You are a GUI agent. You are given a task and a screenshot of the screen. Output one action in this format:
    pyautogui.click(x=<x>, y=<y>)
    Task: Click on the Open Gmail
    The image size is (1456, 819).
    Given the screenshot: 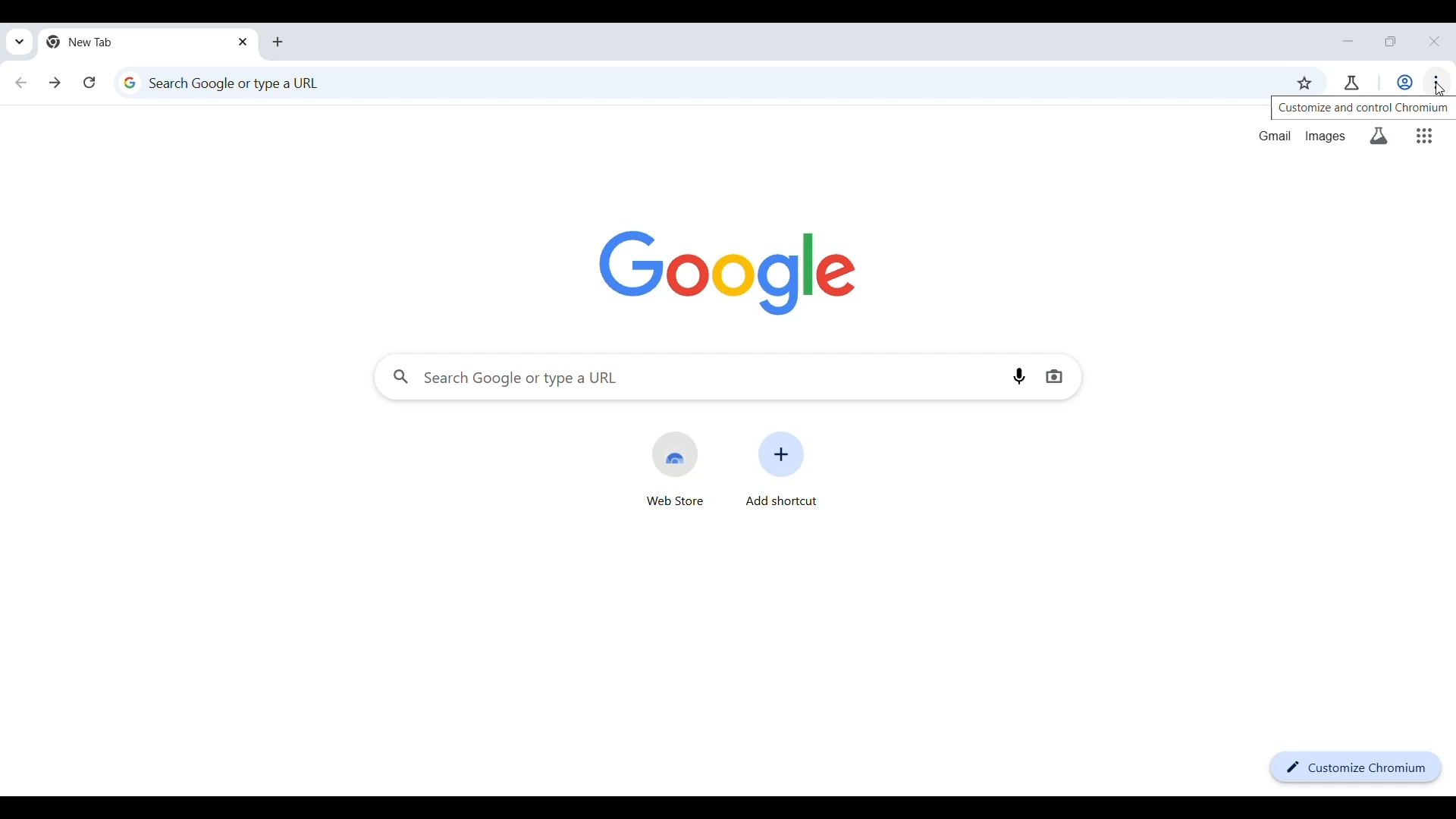 What is the action you would take?
    pyautogui.click(x=1275, y=136)
    